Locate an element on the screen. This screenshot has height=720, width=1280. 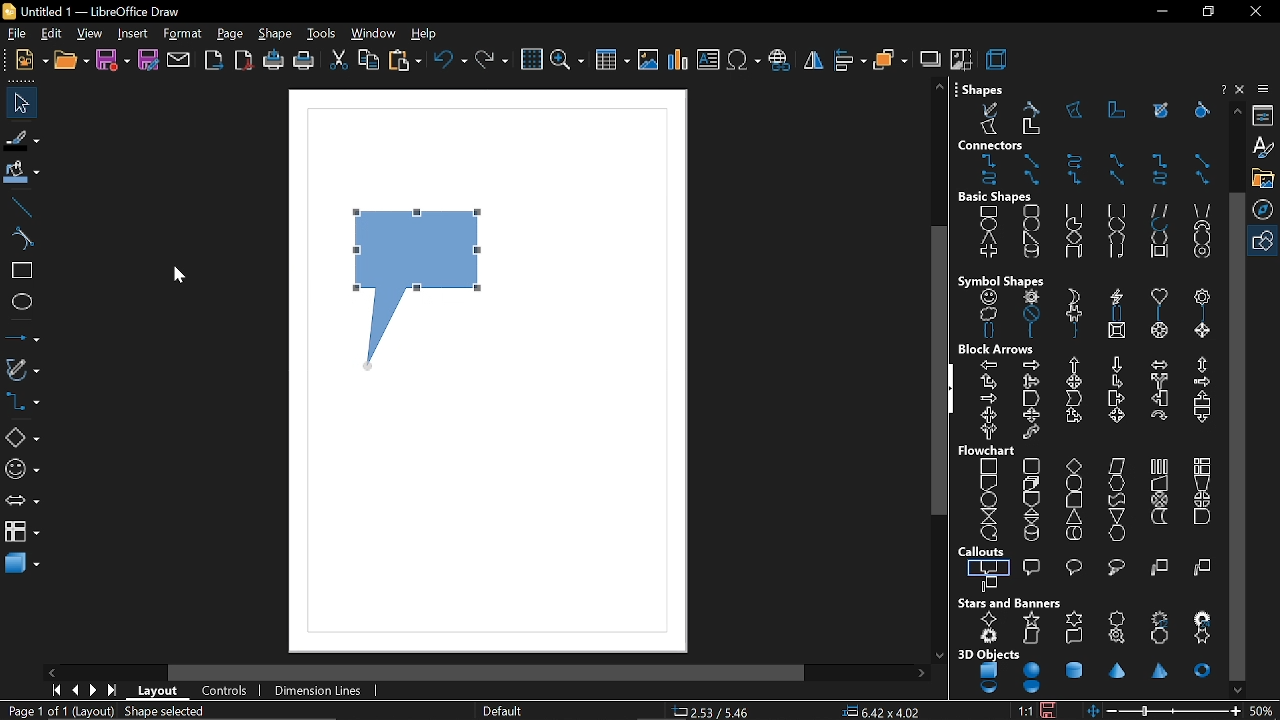
extract is located at coordinates (1074, 517).